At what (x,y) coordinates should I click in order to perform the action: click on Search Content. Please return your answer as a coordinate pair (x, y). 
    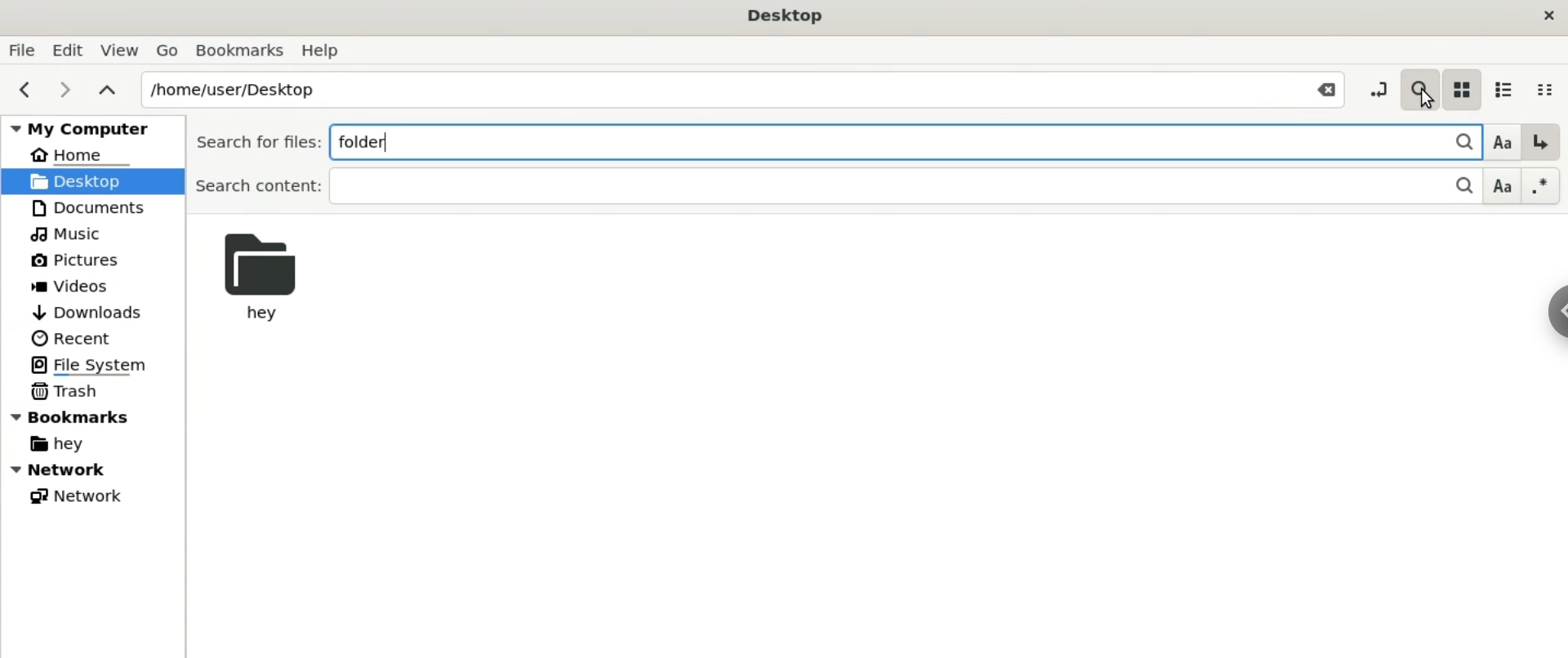
    Looking at the image, I should click on (807, 187).